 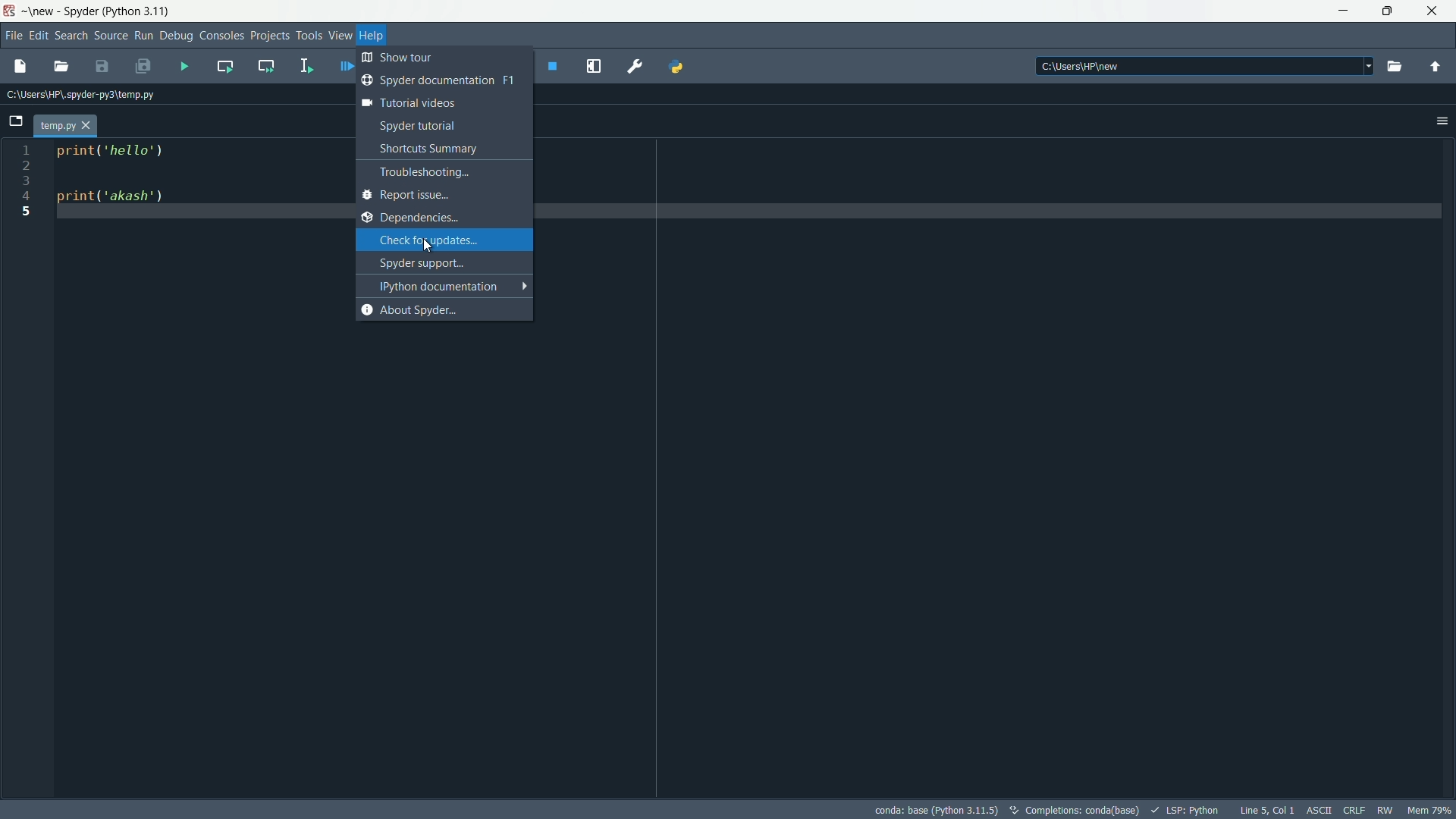 What do you see at coordinates (271, 34) in the screenshot?
I see `projects menu` at bounding box center [271, 34].